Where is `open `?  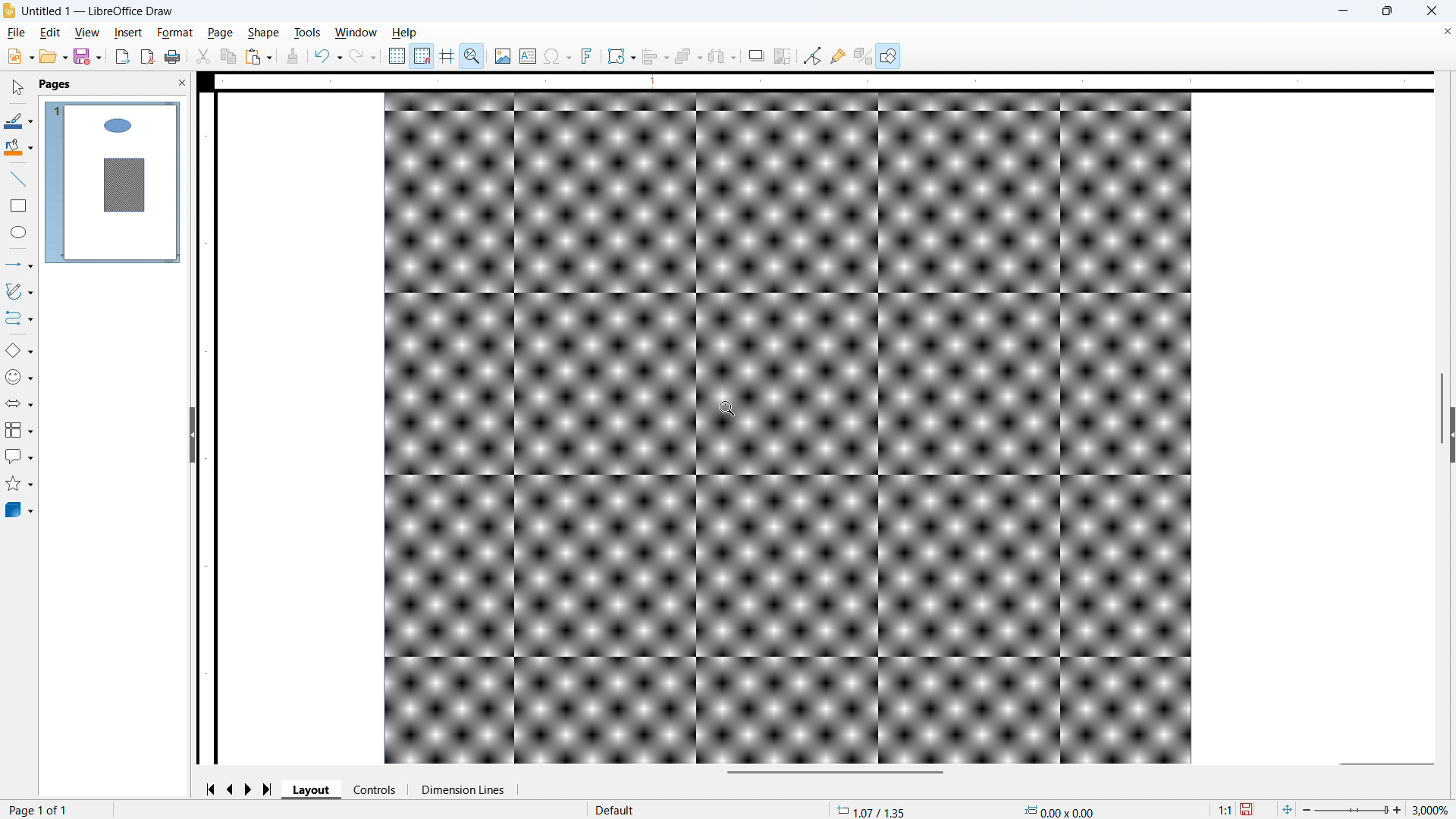
open  is located at coordinates (53, 57).